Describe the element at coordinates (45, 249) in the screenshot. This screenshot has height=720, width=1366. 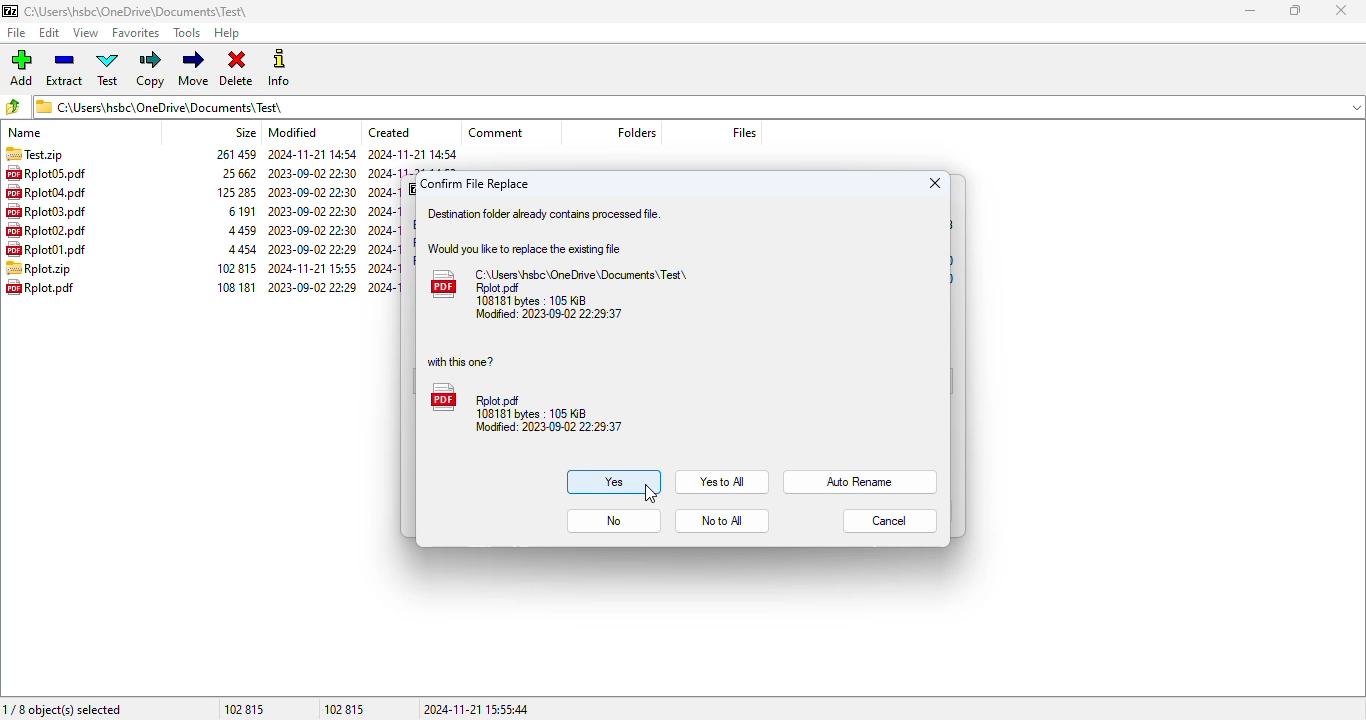
I see `Rplot01.pdf` at that location.